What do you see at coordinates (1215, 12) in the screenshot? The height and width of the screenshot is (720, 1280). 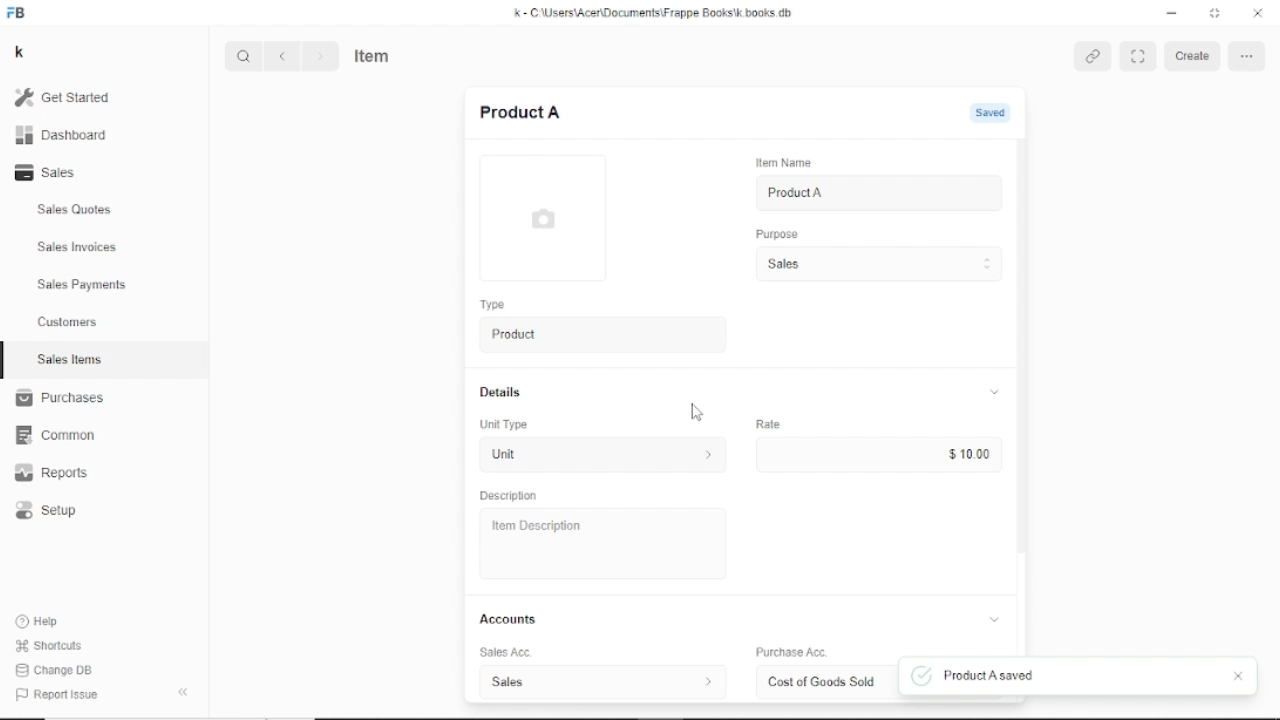 I see `Toggle between form and full width` at bounding box center [1215, 12].